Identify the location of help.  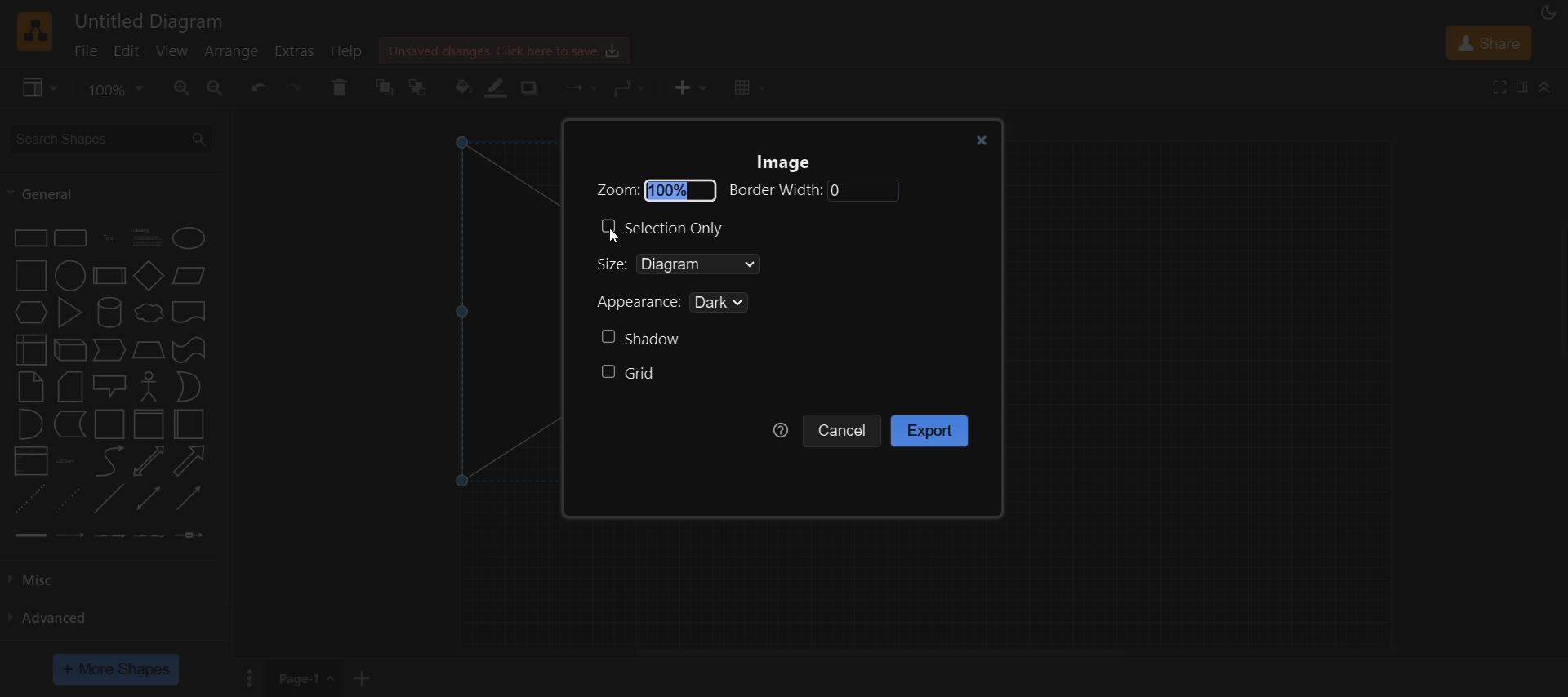
(781, 430).